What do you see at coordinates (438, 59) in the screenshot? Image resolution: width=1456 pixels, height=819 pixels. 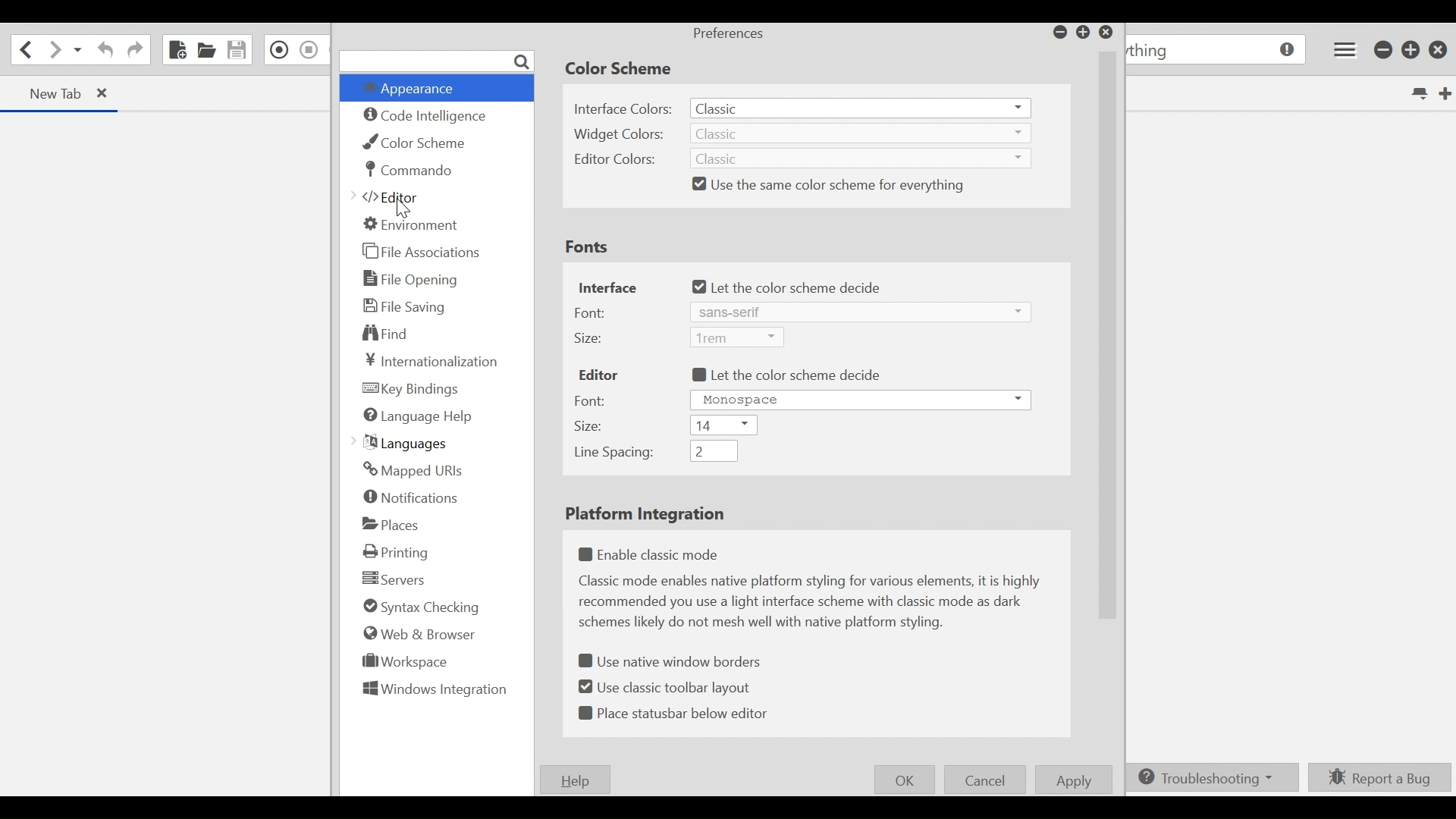 I see `Search` at bounding box center [438, 59].